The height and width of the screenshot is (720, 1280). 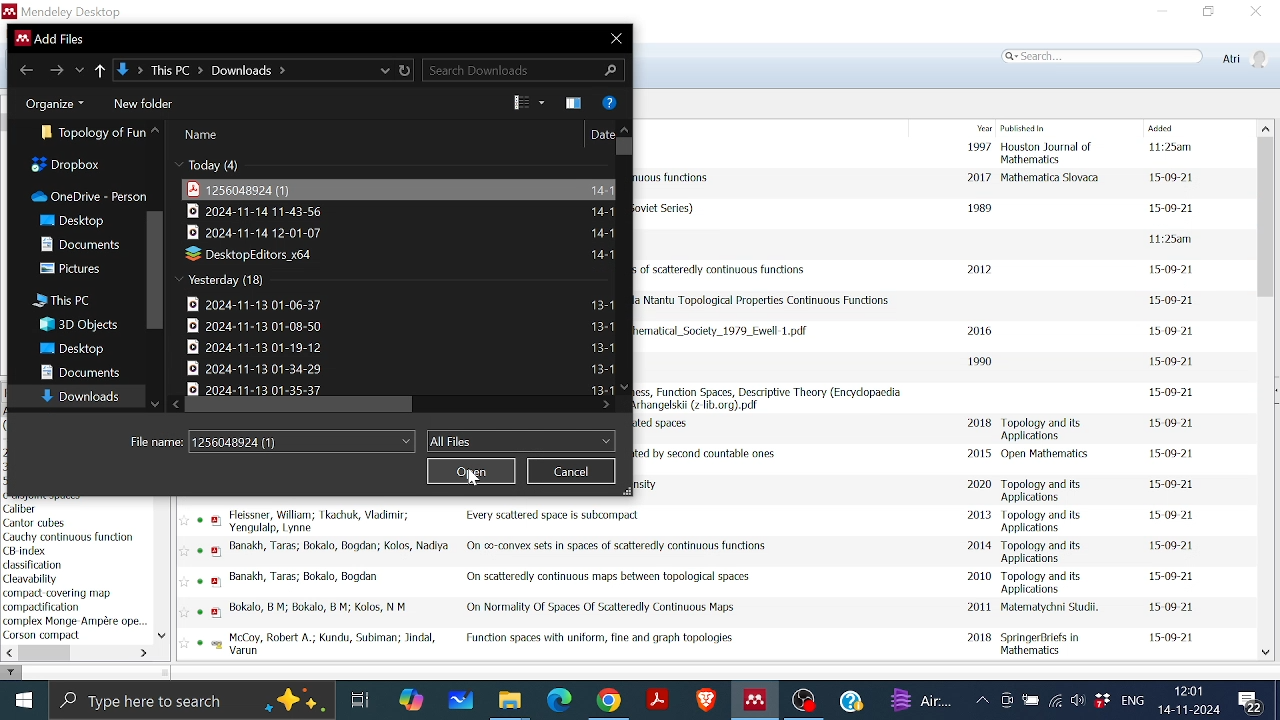 What do you see at coordinates (330, 644) in the screenshot?
I see `Author` at bounding box center [330, 644].